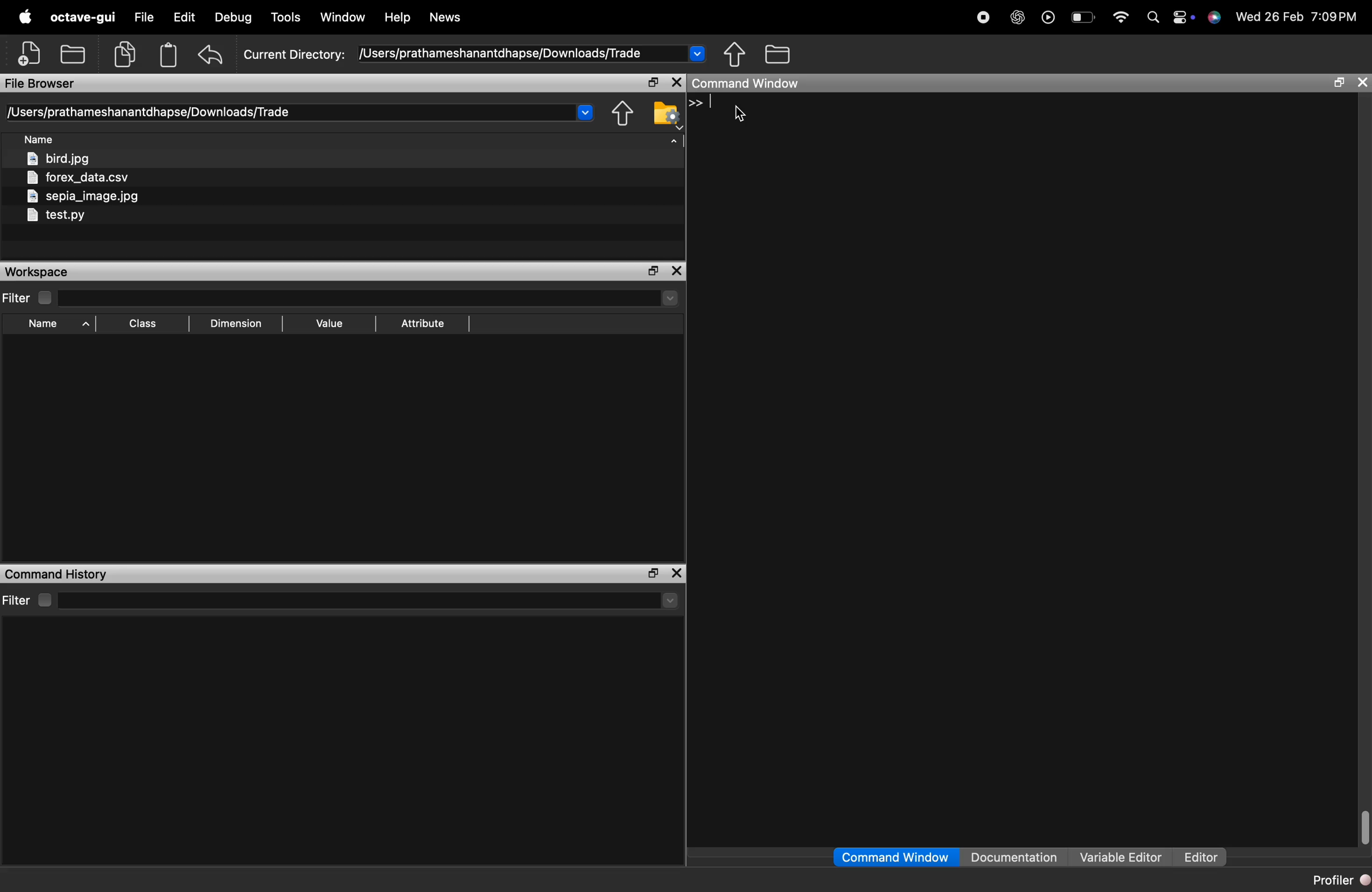 This screenshot has height=892, width=1372. Describe the element at coordinates (1015, 856) in the screenshot. I see `documentation ` at that location.